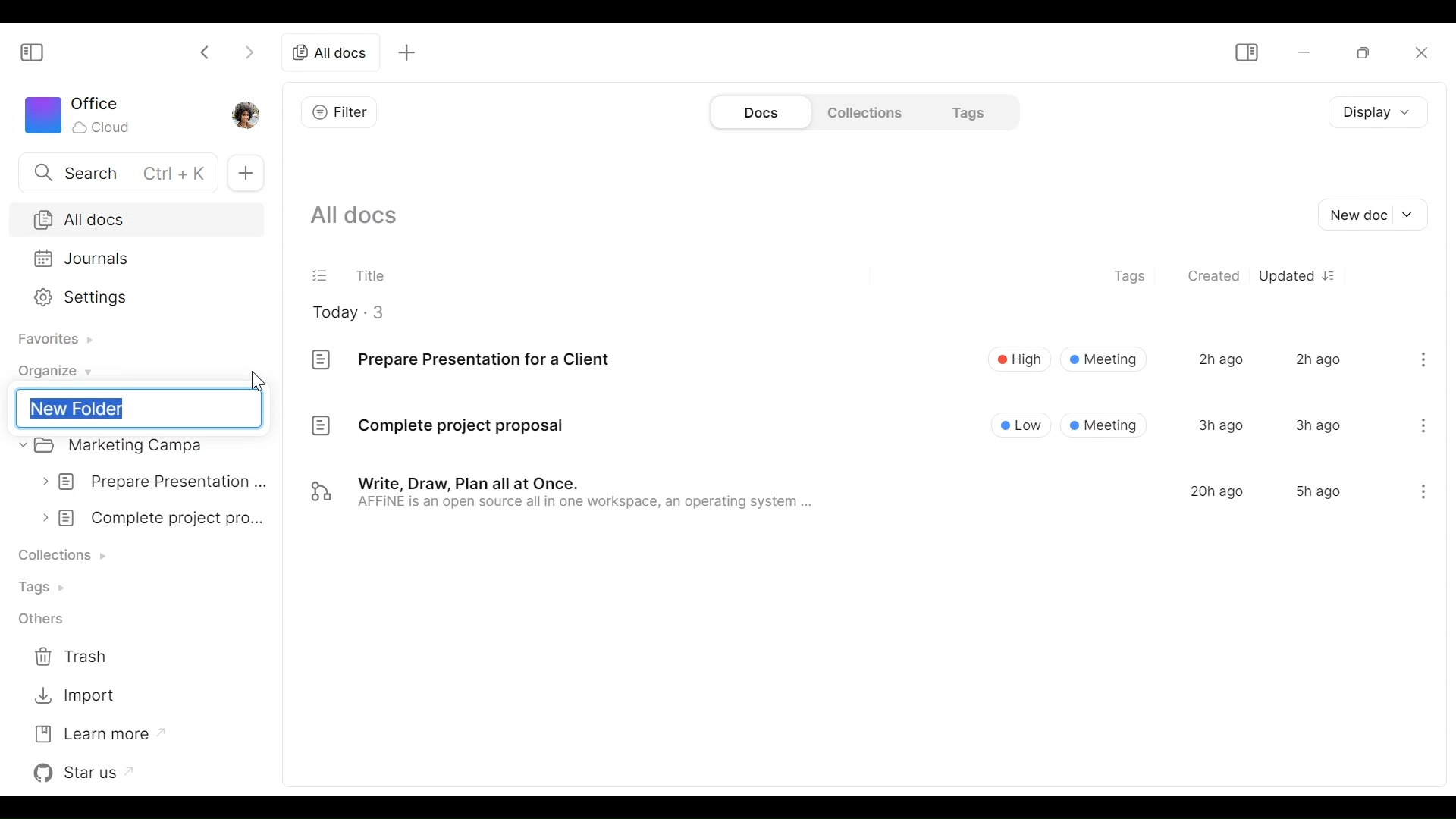 The image size is (1456, 819). What do you see at coordinates (126, 447) in the screenshot?
I see `Marketing campa` at bounding box center [126, 447].